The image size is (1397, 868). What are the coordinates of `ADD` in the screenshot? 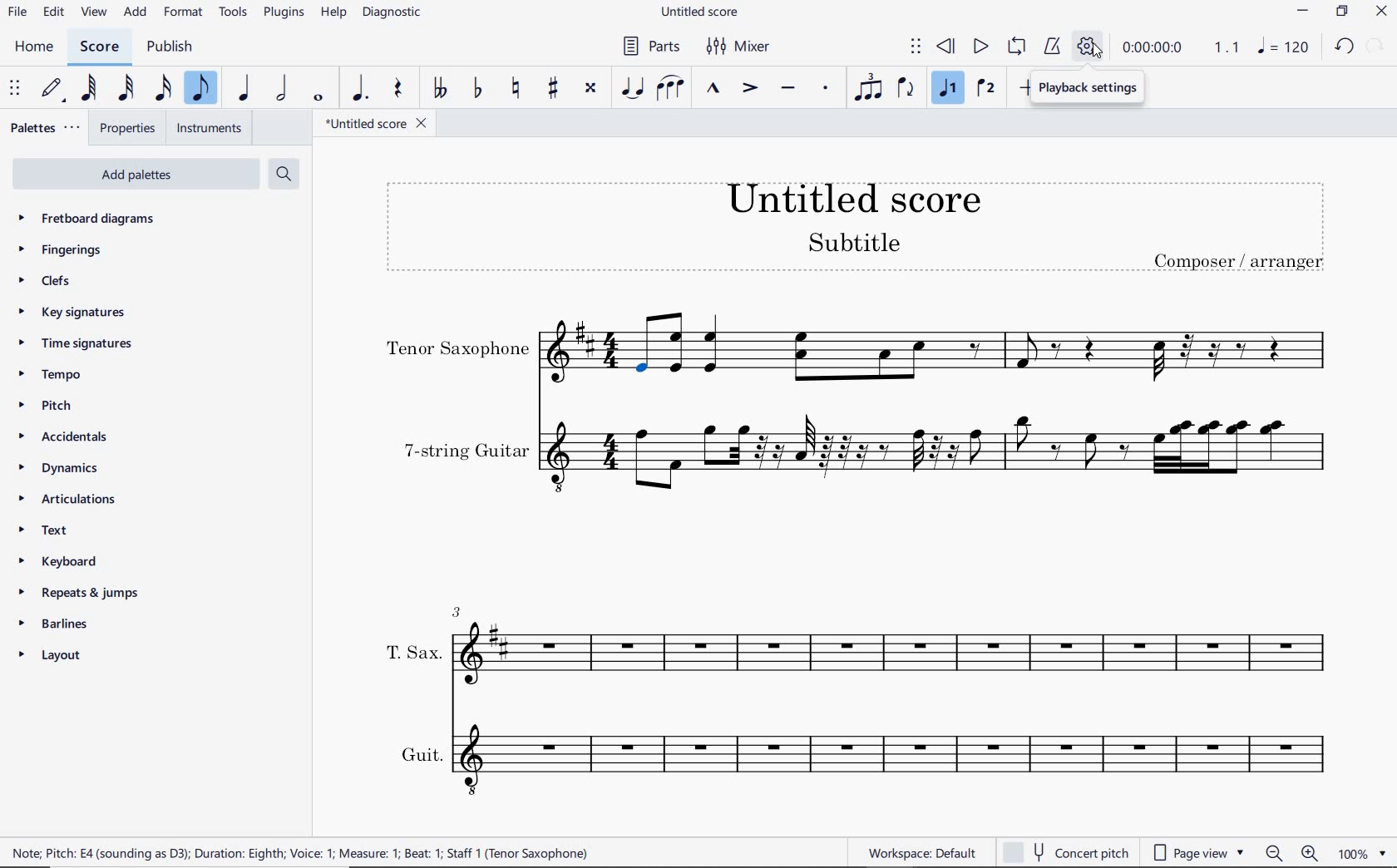 It's located at (136, 11).